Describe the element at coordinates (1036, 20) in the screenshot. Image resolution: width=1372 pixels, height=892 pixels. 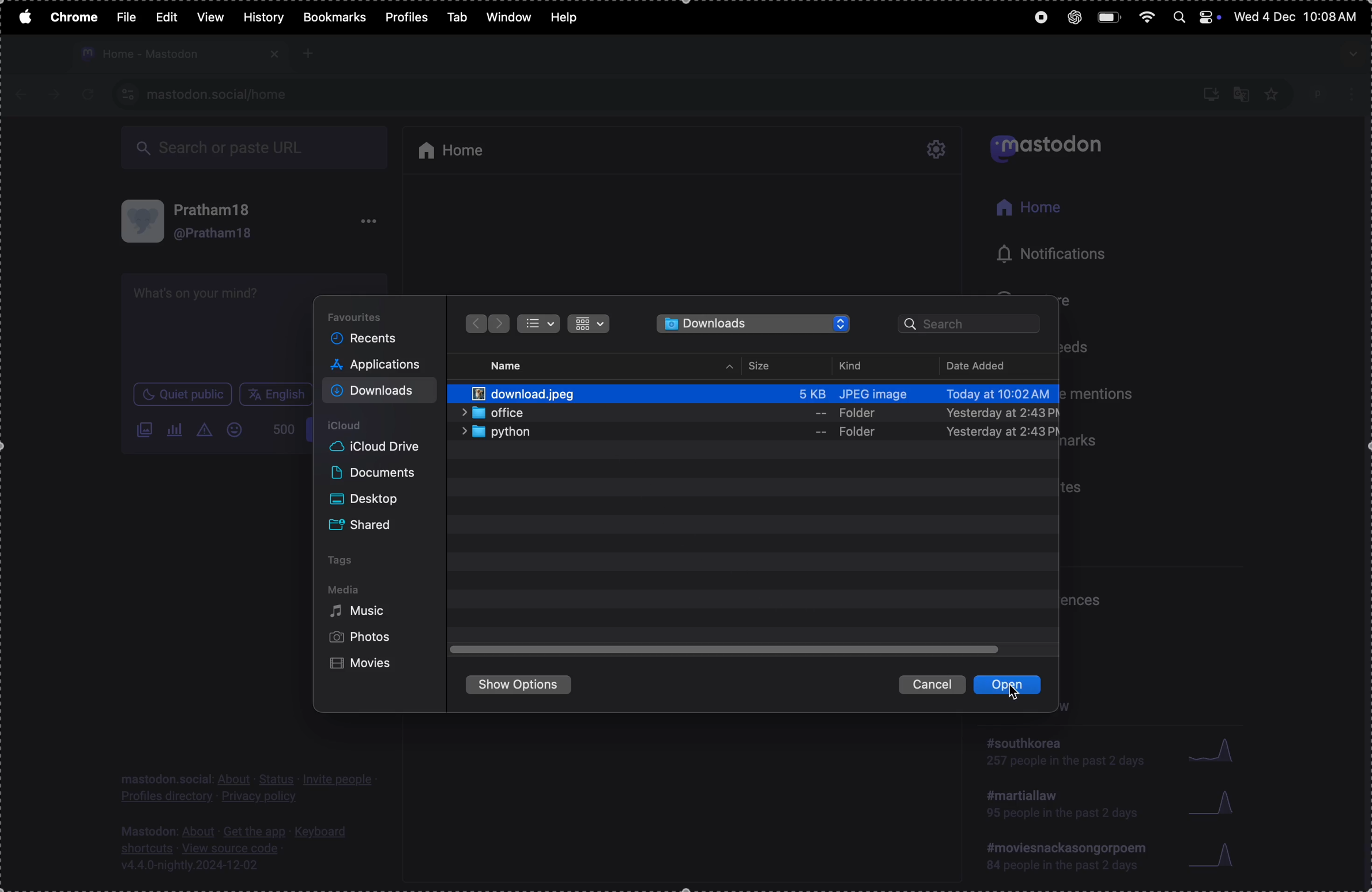
I see `record` at that location.